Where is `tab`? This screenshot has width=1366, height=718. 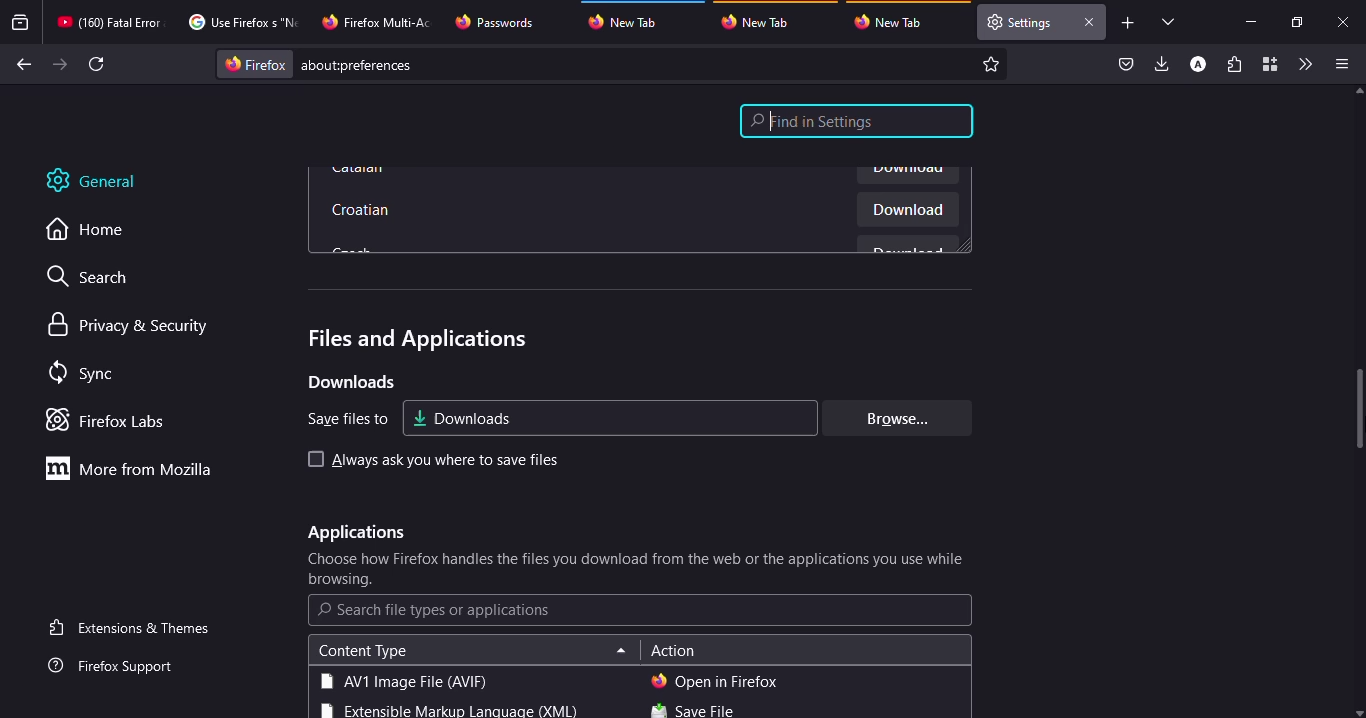 tab is located at coordinates (632, 19).